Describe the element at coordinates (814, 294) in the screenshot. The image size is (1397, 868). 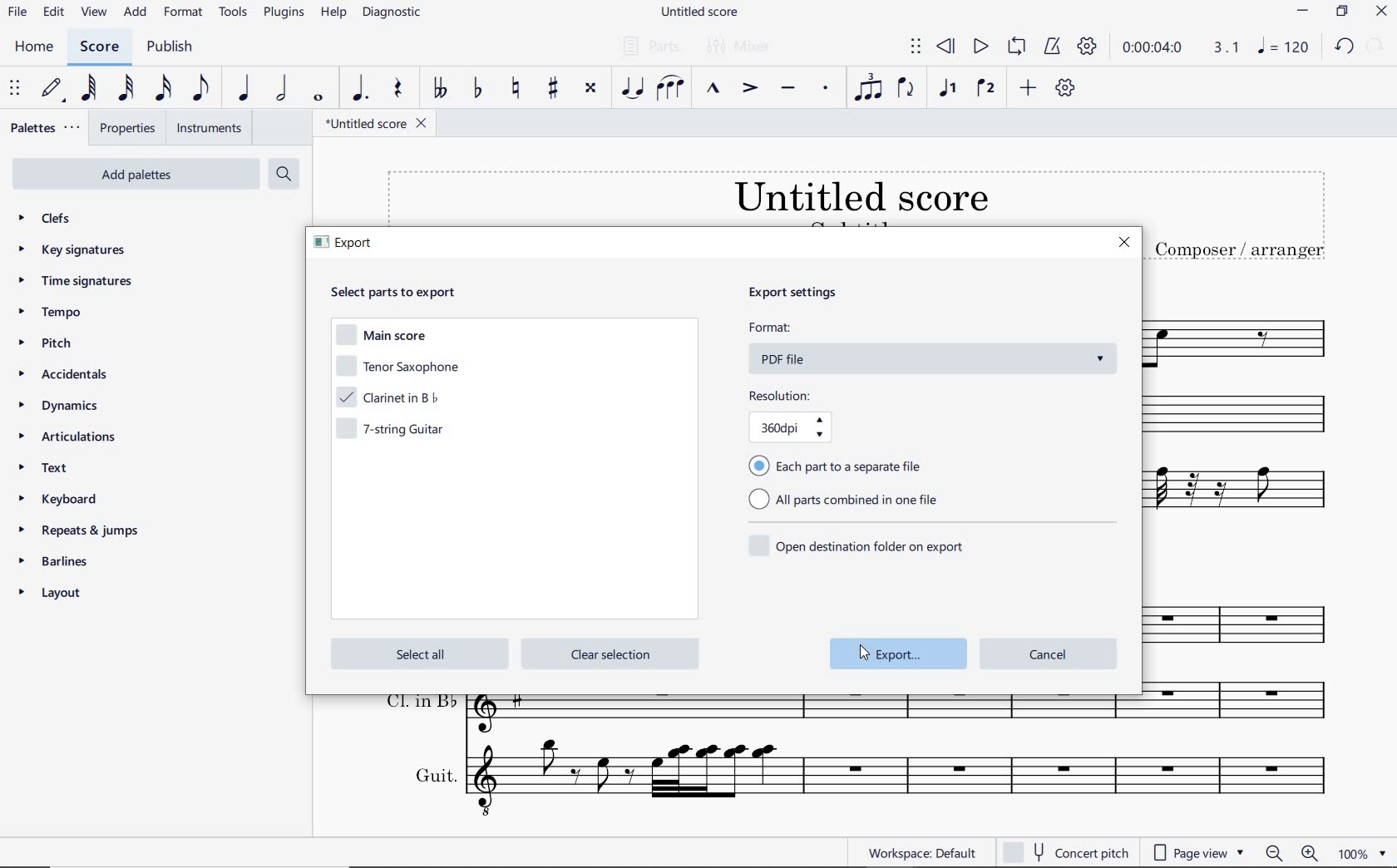
I see `export settings` at that location.